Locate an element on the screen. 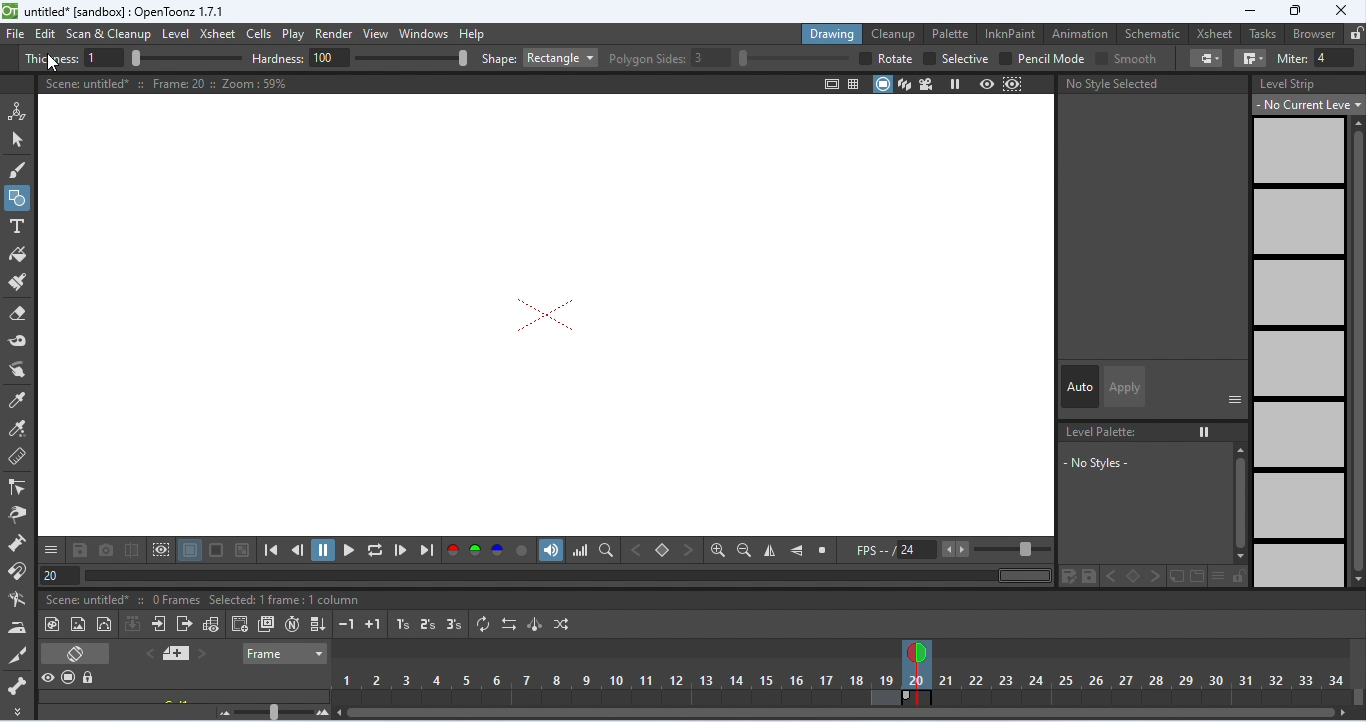 This screenshot has height=722, width=1366. toggle xsheet/ timeline is located at coordinates (74, 655).